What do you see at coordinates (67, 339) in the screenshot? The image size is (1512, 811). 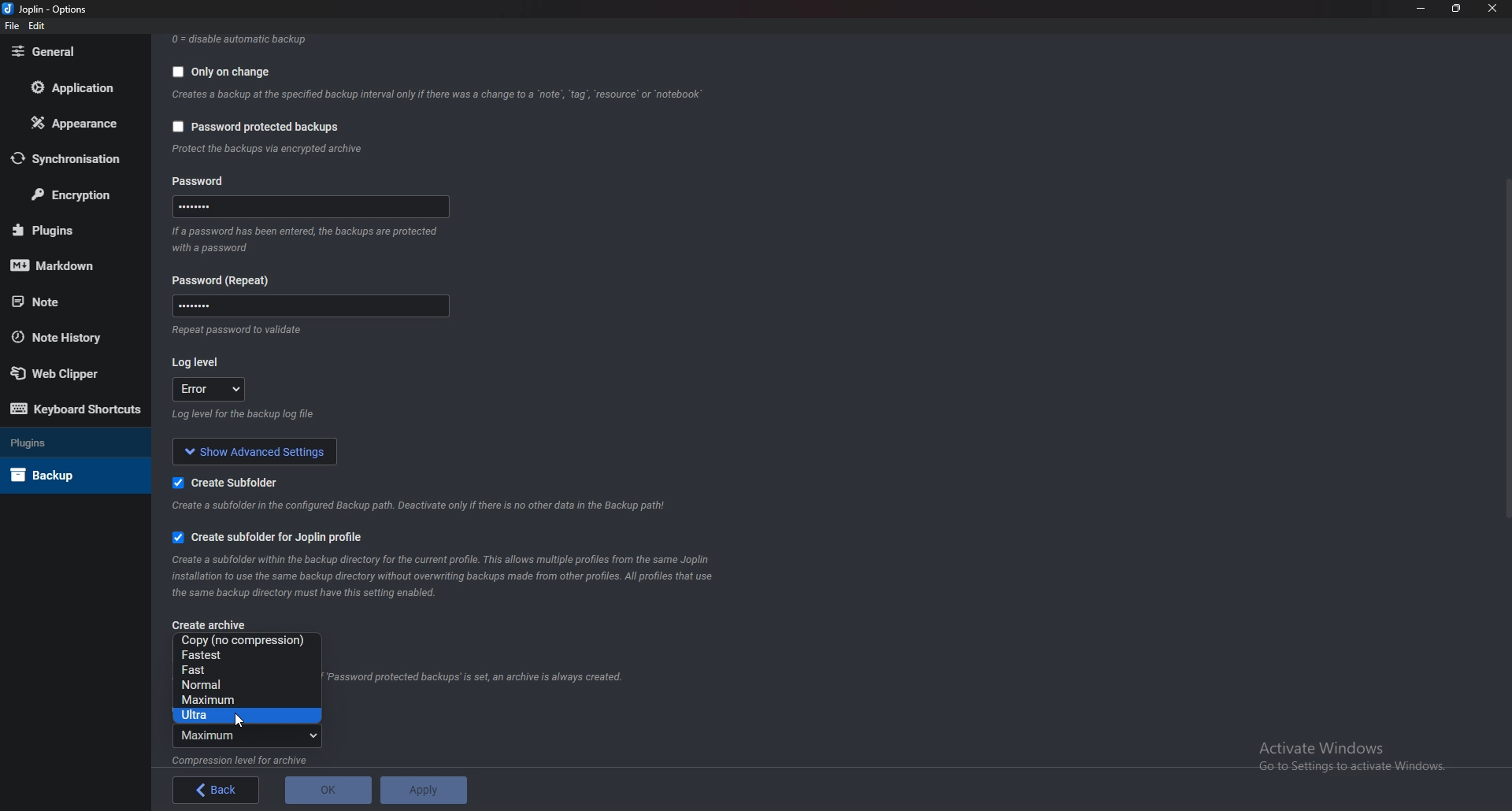 I see `Note history` at bounding box center [67, 339].